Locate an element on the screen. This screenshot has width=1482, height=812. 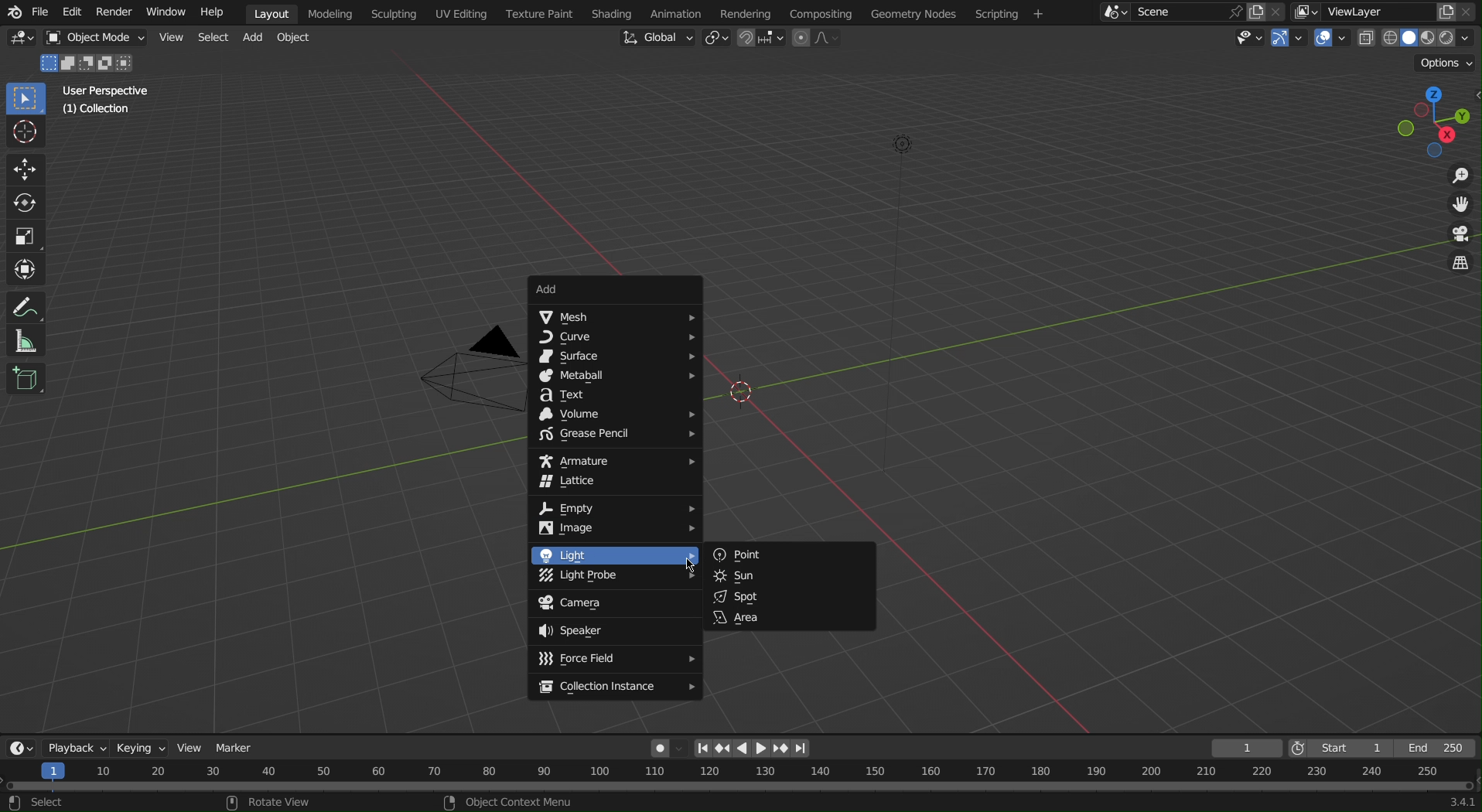
Keying is located at coordinates (145, 745).